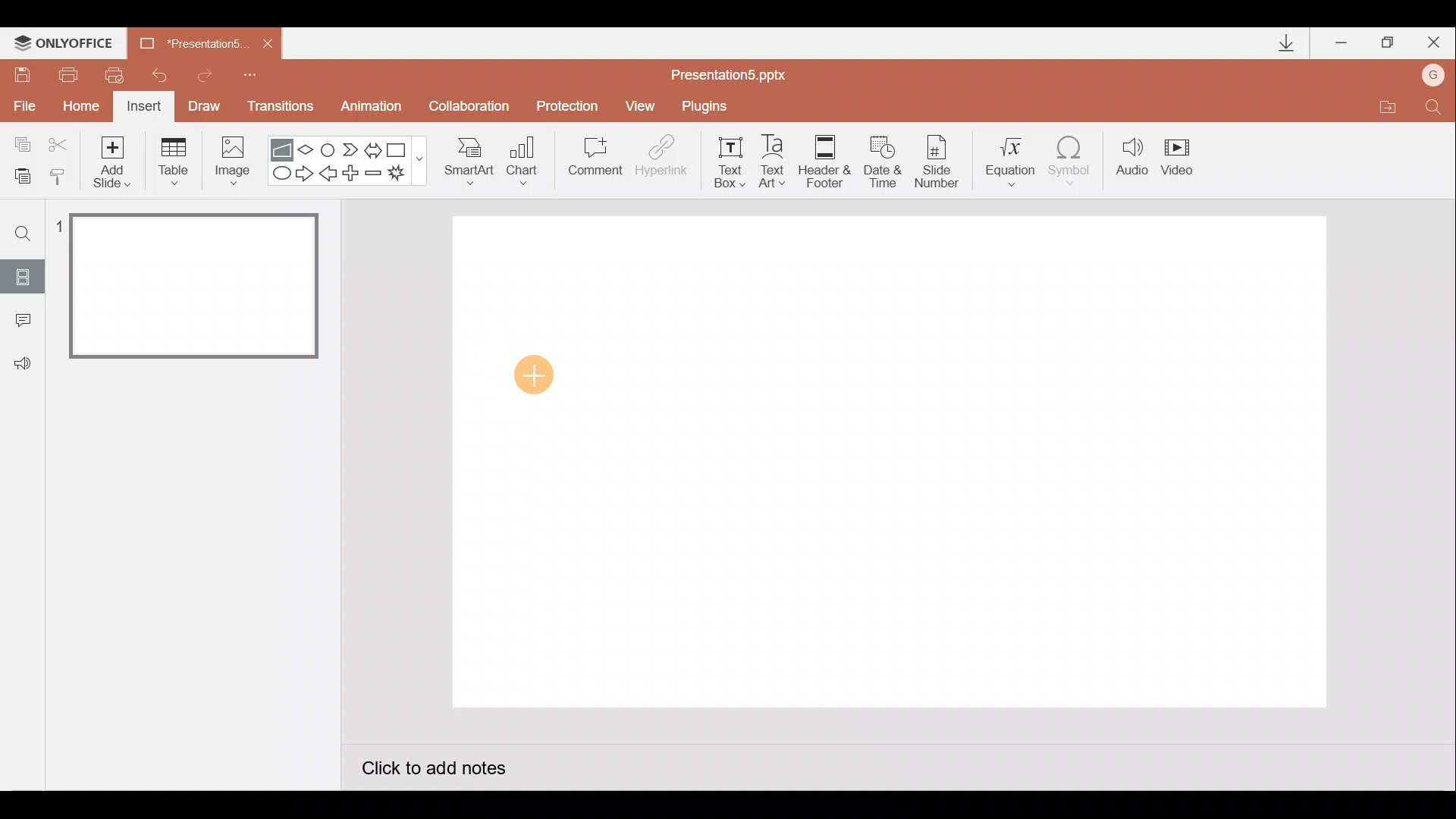  I want to click on Flowchart - manual input, so click(284, 148).